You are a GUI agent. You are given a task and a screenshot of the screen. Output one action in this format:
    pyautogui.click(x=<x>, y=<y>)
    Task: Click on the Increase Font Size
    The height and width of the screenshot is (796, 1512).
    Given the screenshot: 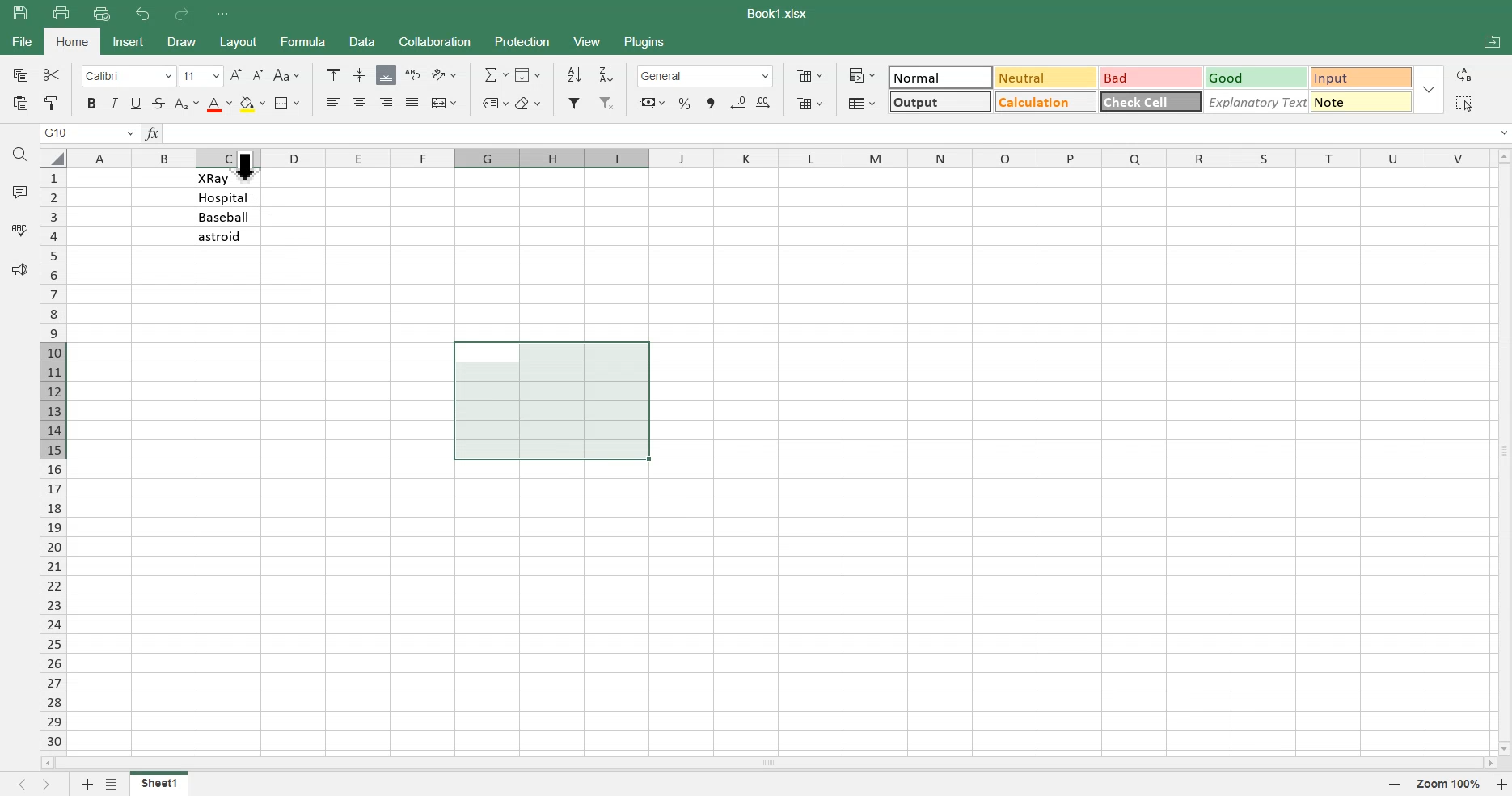 What is the action you would take?
    pyautogui.click(x=236, y=74)
    